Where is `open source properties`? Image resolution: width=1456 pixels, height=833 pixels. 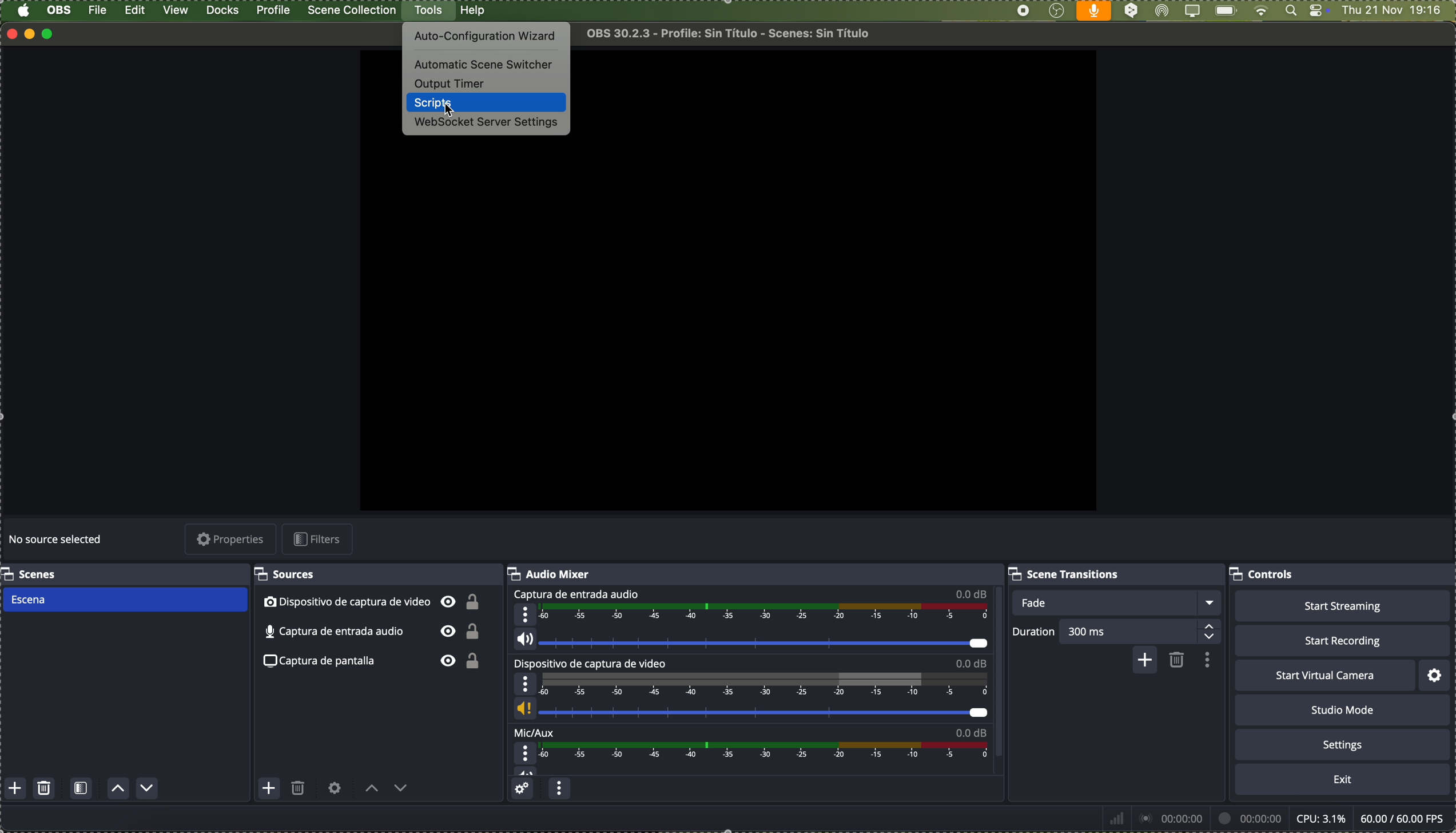 open source properties is located at coordinates (335, 788).